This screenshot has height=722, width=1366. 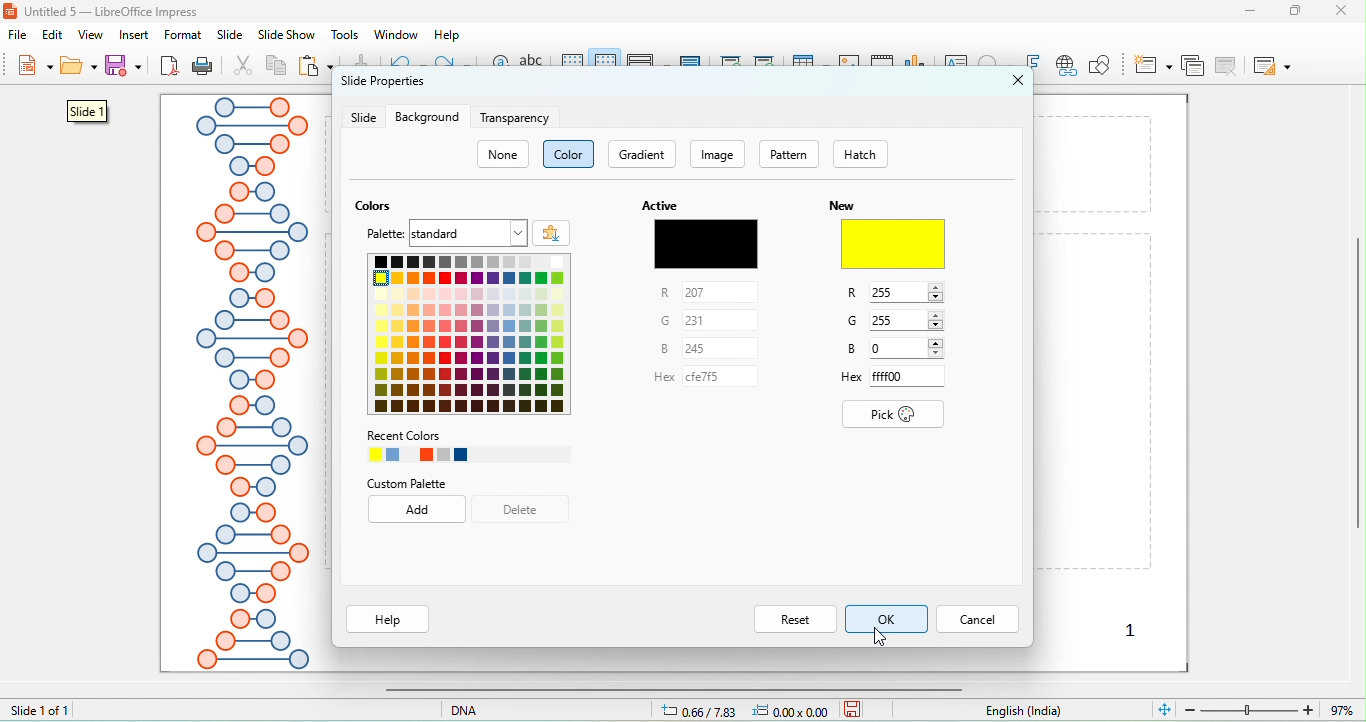 I want to click on new, so click(x=33, y=68).